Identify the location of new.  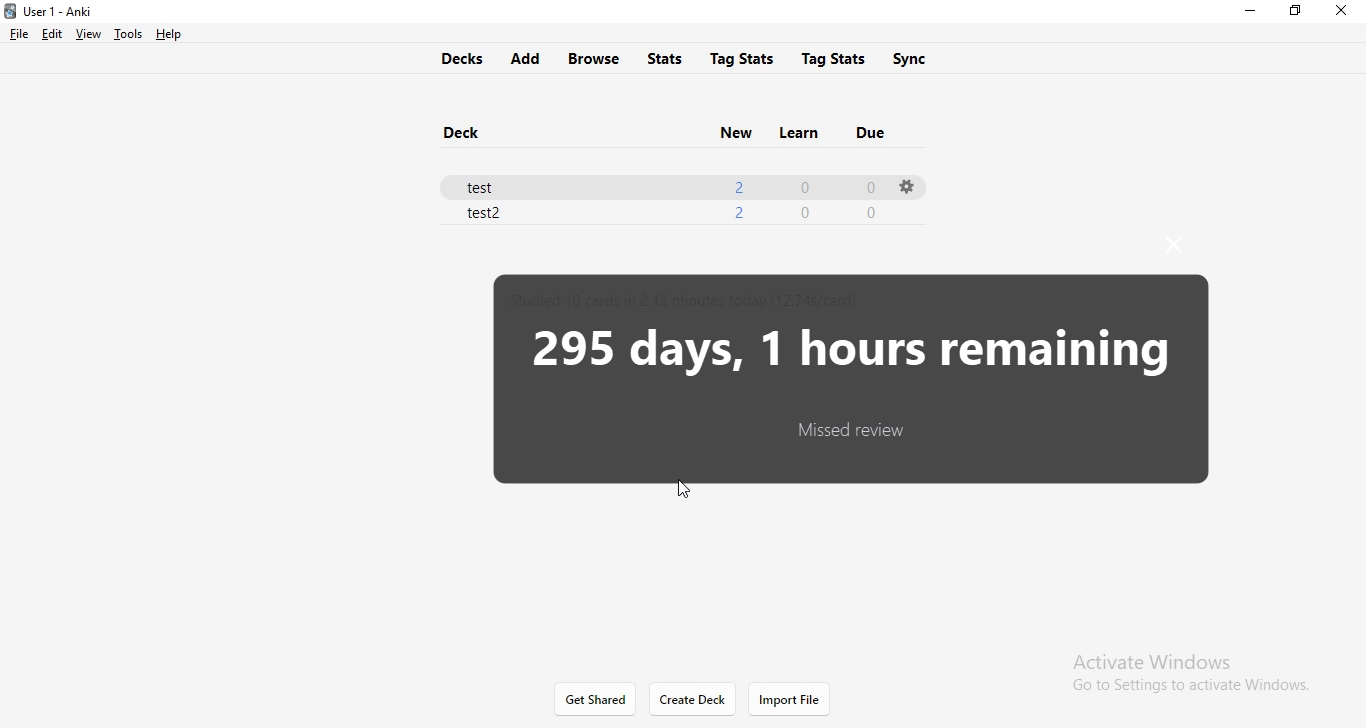
(734, 131).